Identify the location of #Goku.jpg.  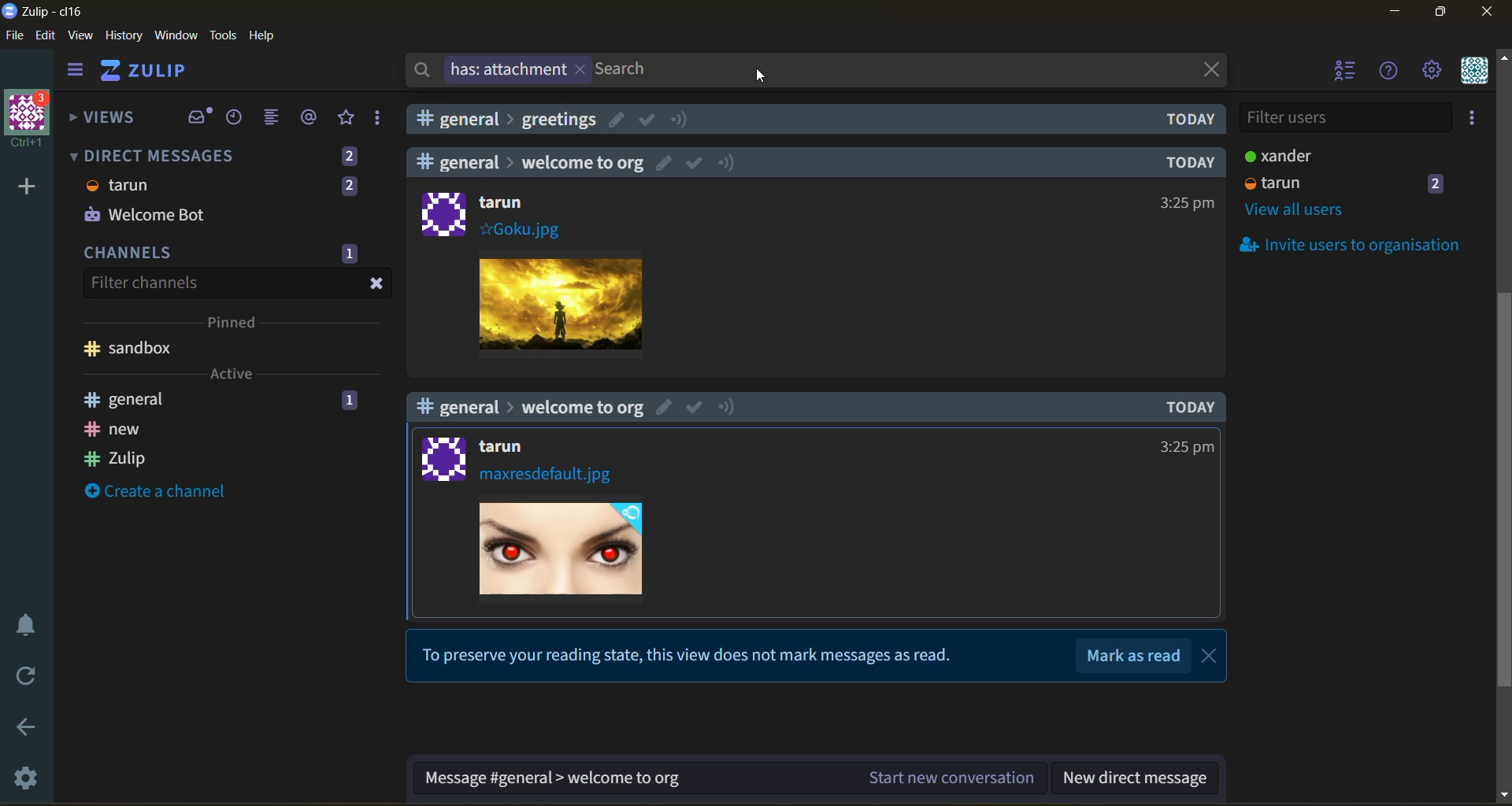
(519, 229).